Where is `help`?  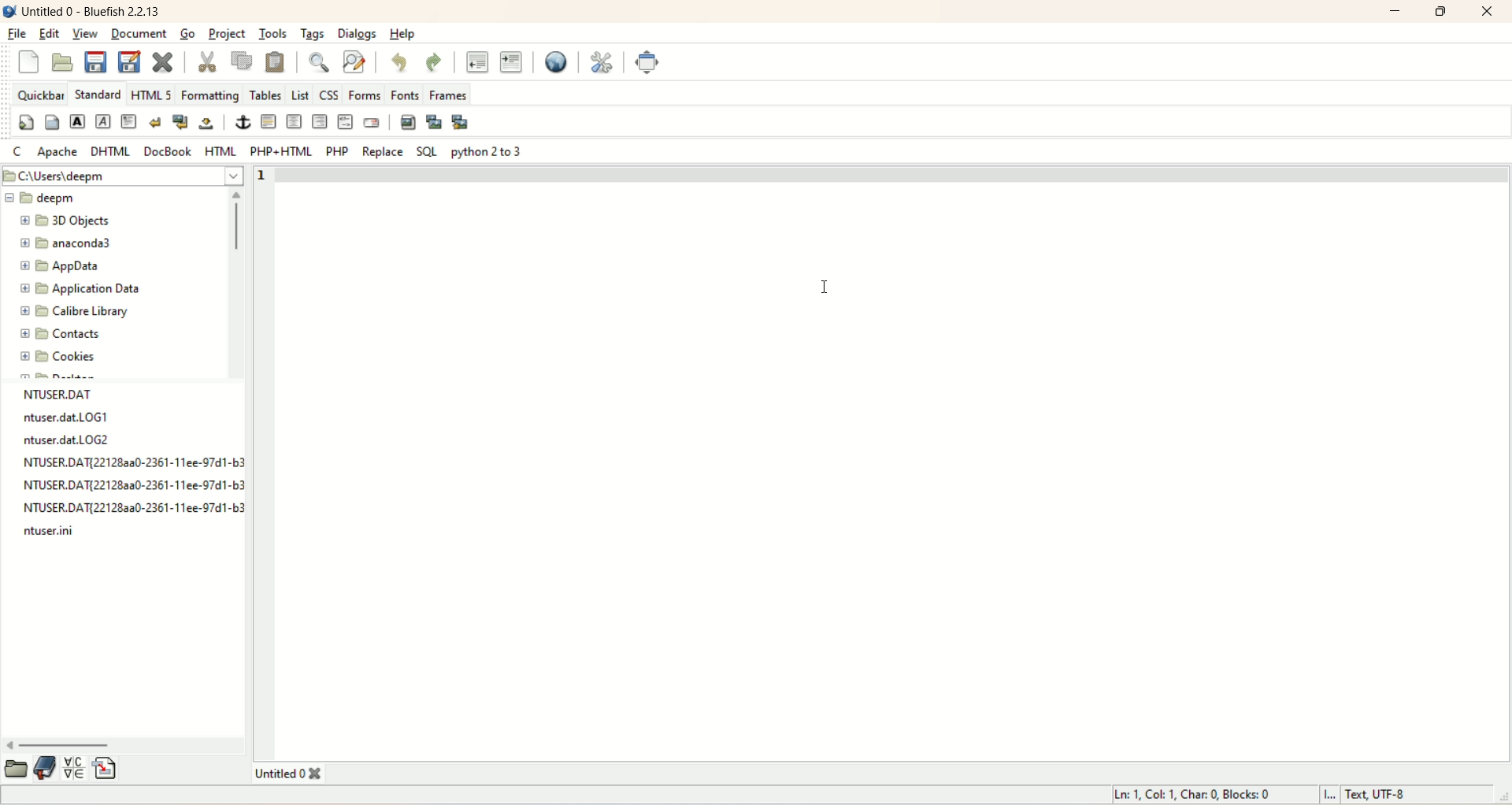 help is located at coordinates (402, 33).